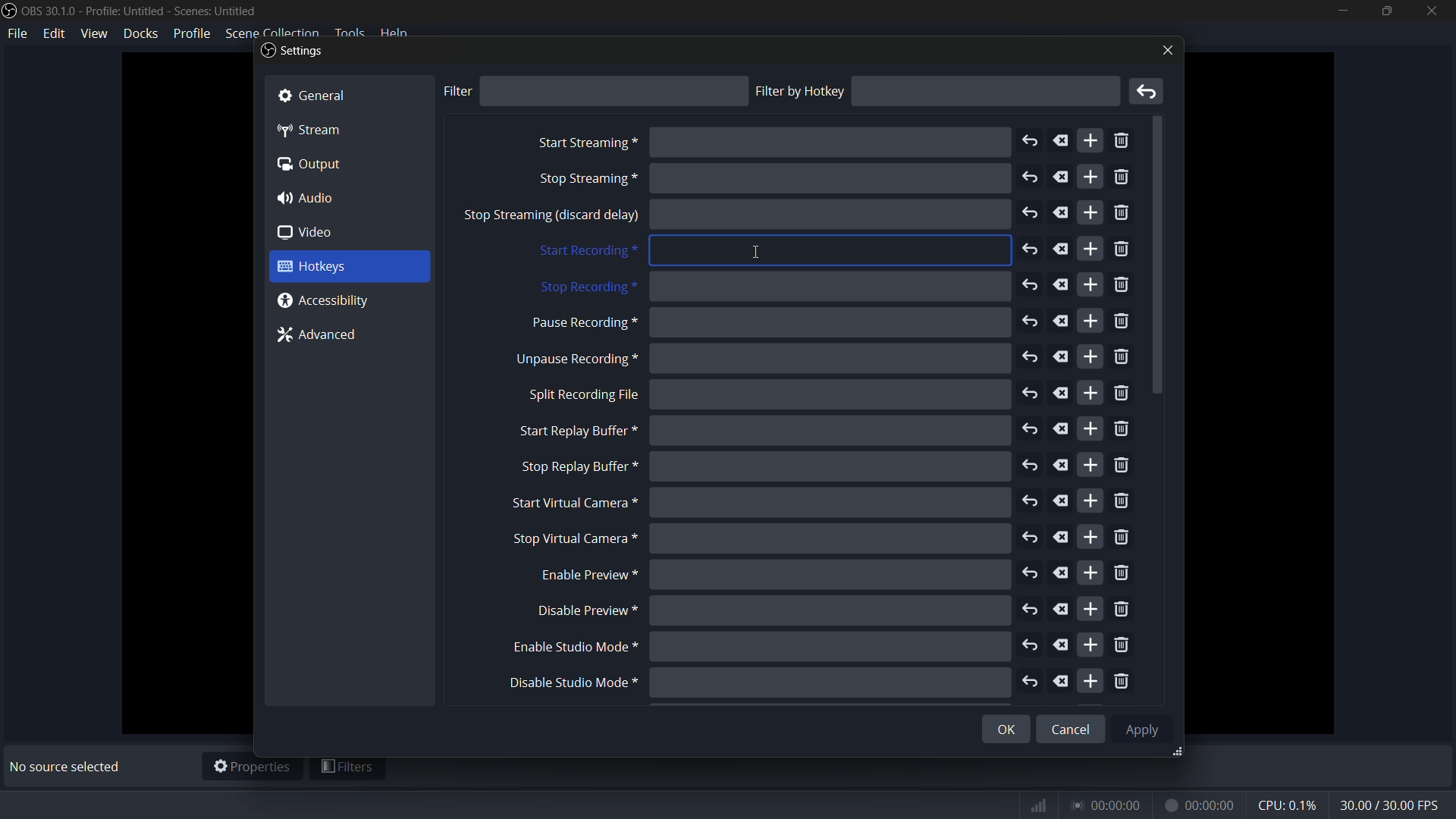 The image size is (1456, 819). Describe the element at coordinates (1090, 213) in the screenshot. I see `add more` at that location.